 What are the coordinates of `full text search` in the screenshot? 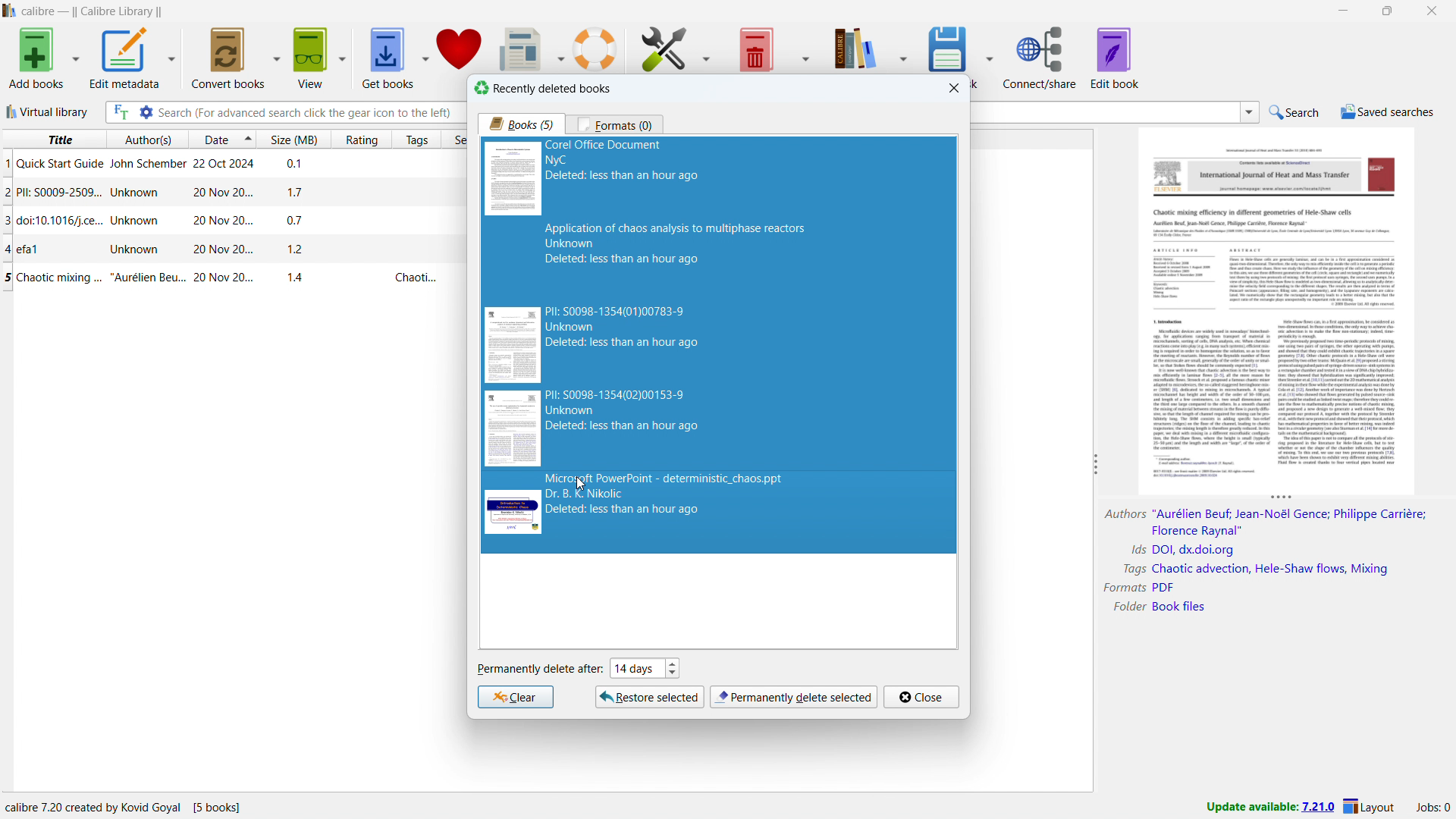 It's located at (120, 111).